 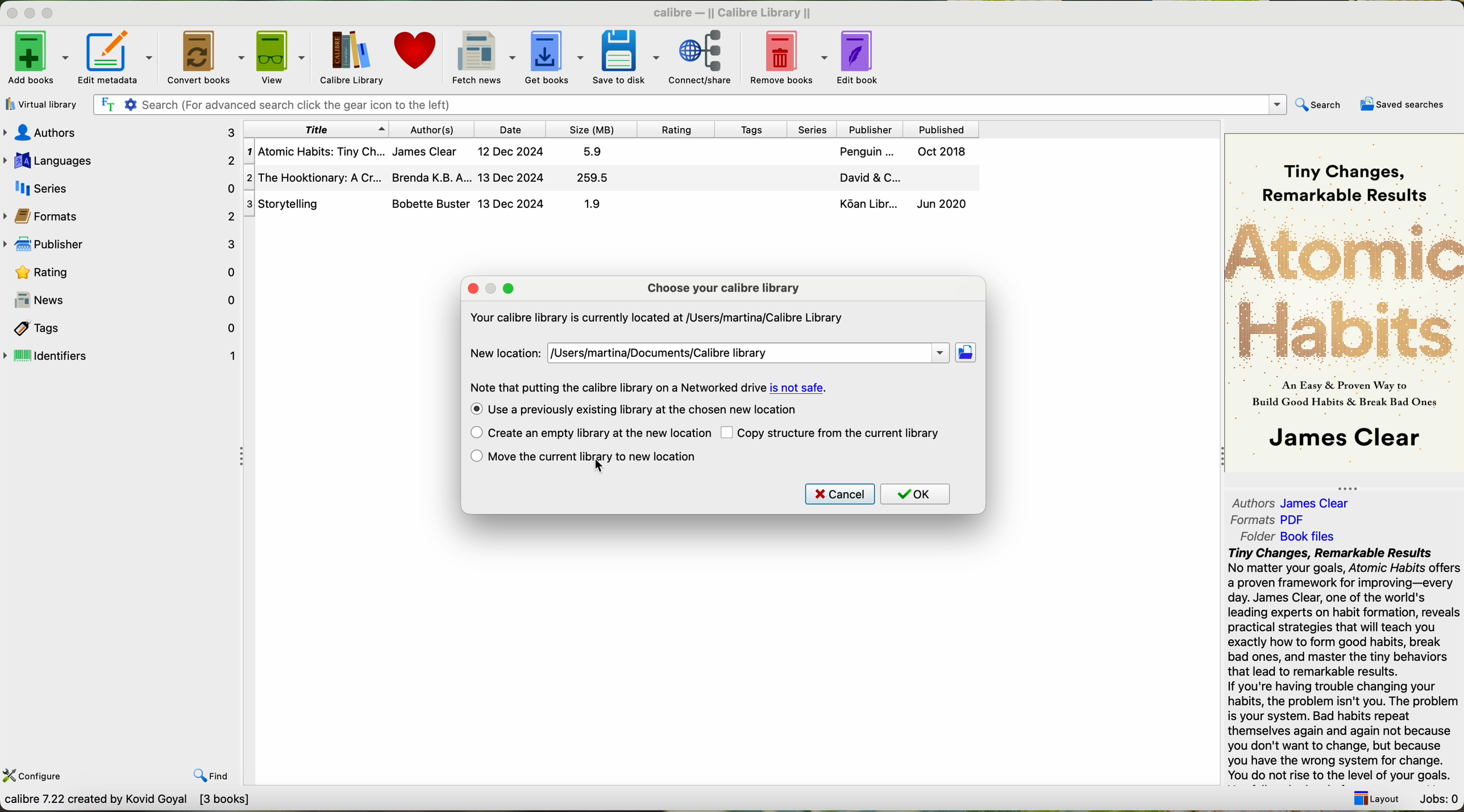 What do you see at coordinates (1340, 173) in the screenshot?
I see `Tiny Changes,
Remarkable Results` at bounding box center [1340, 173].